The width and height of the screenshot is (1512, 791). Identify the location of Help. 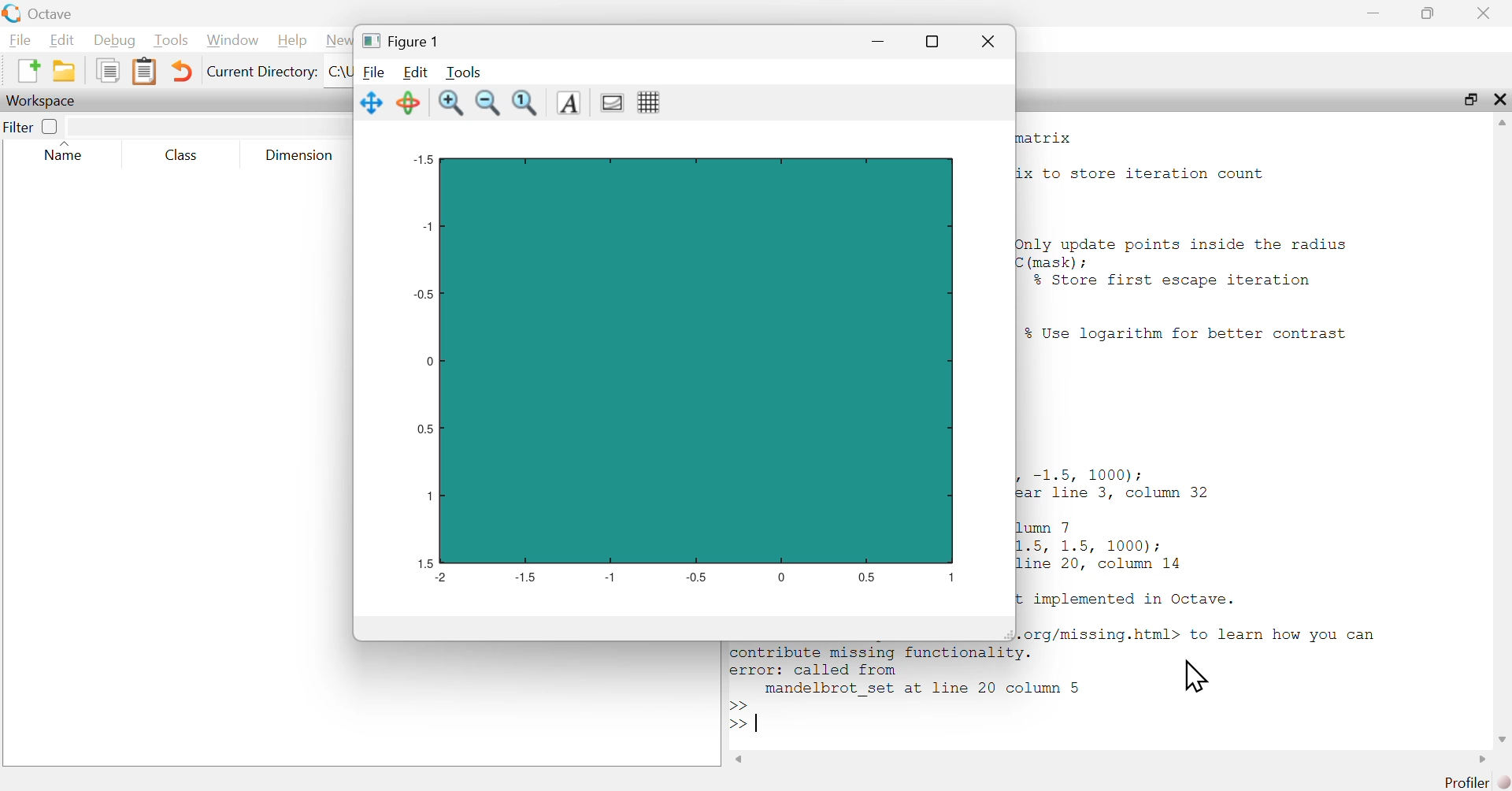
(290, 41).